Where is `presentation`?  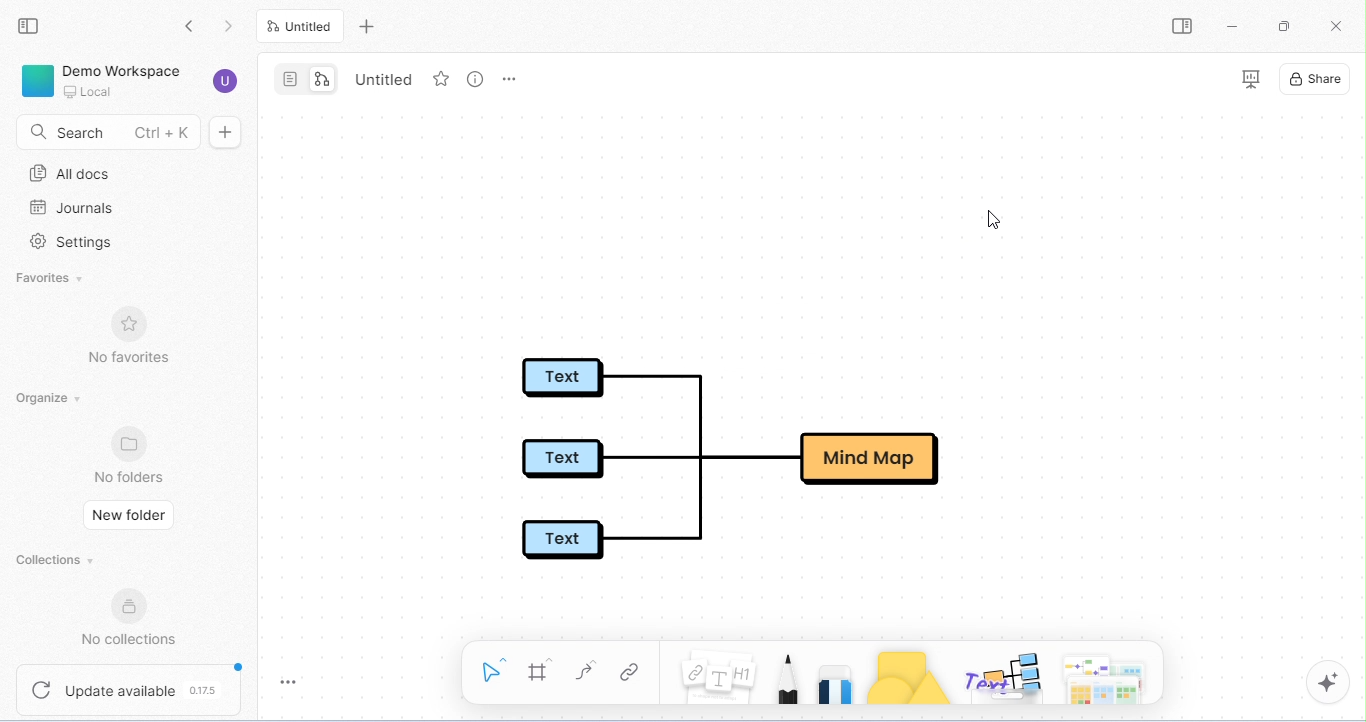 presentation is located at coordinates (1252, 80).